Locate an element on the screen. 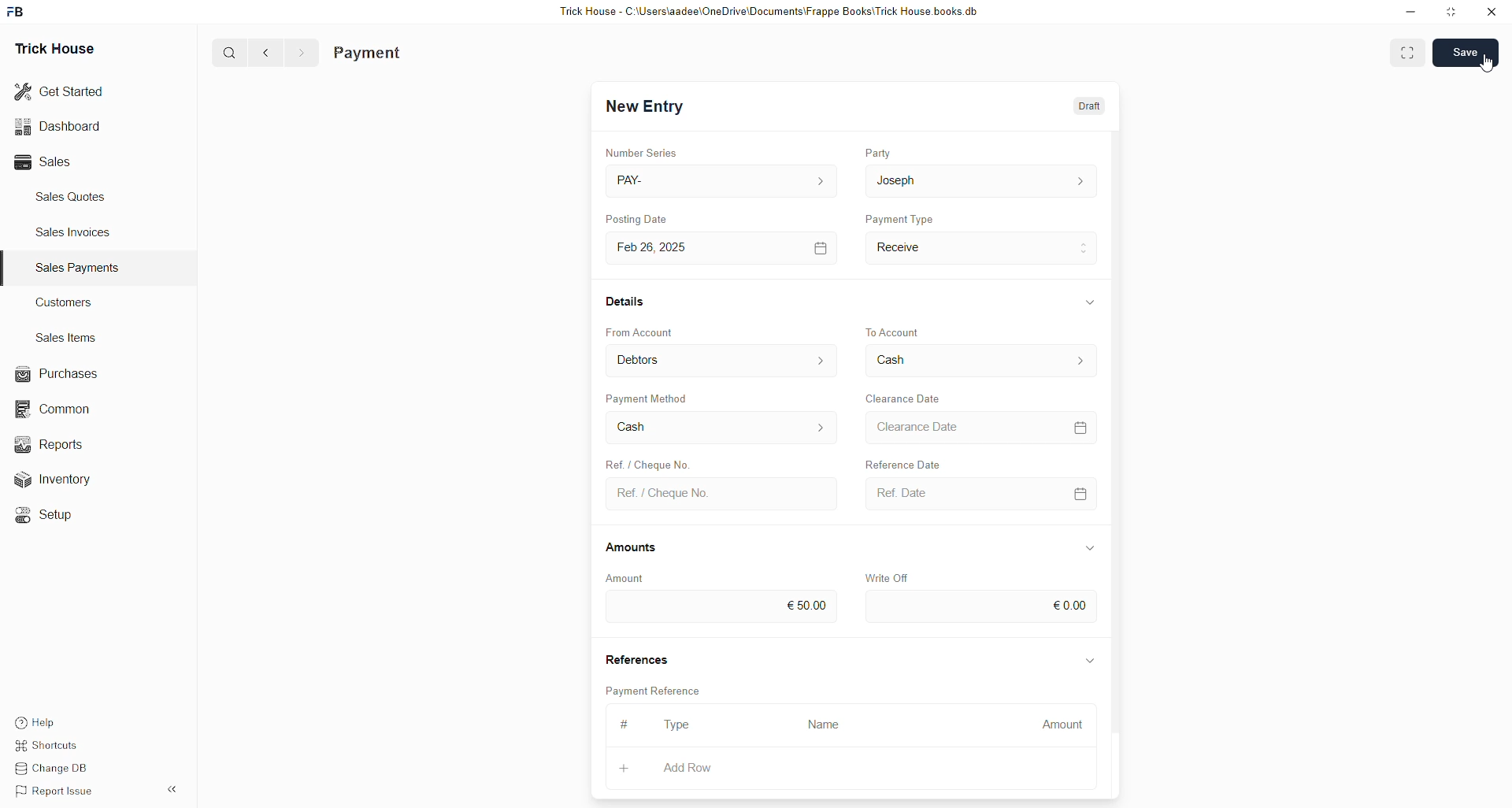 The height and width of the screenshot is (808, 1512). Help is located at coordinates (38, 718).